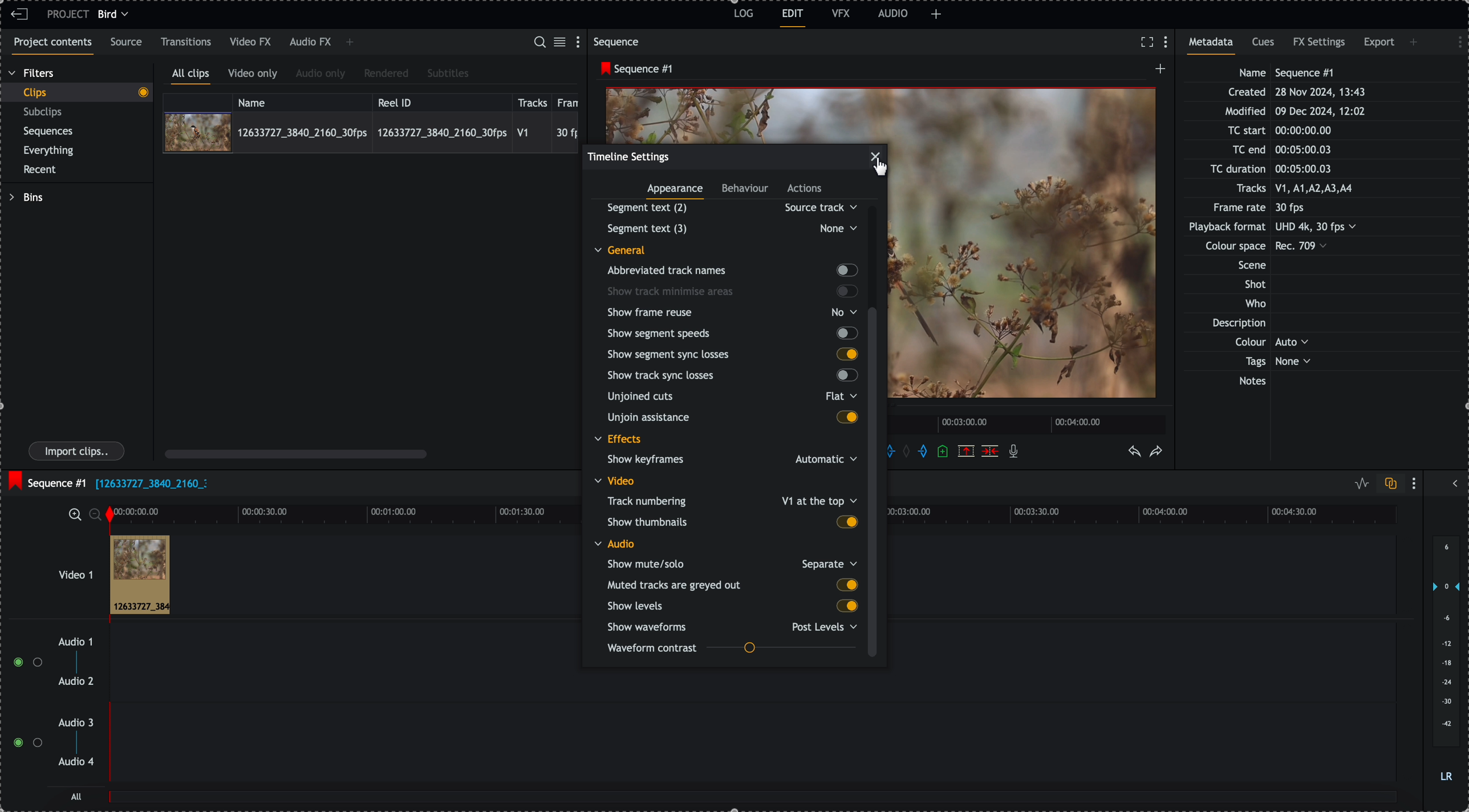  I want to click on source, so click(128, 43).